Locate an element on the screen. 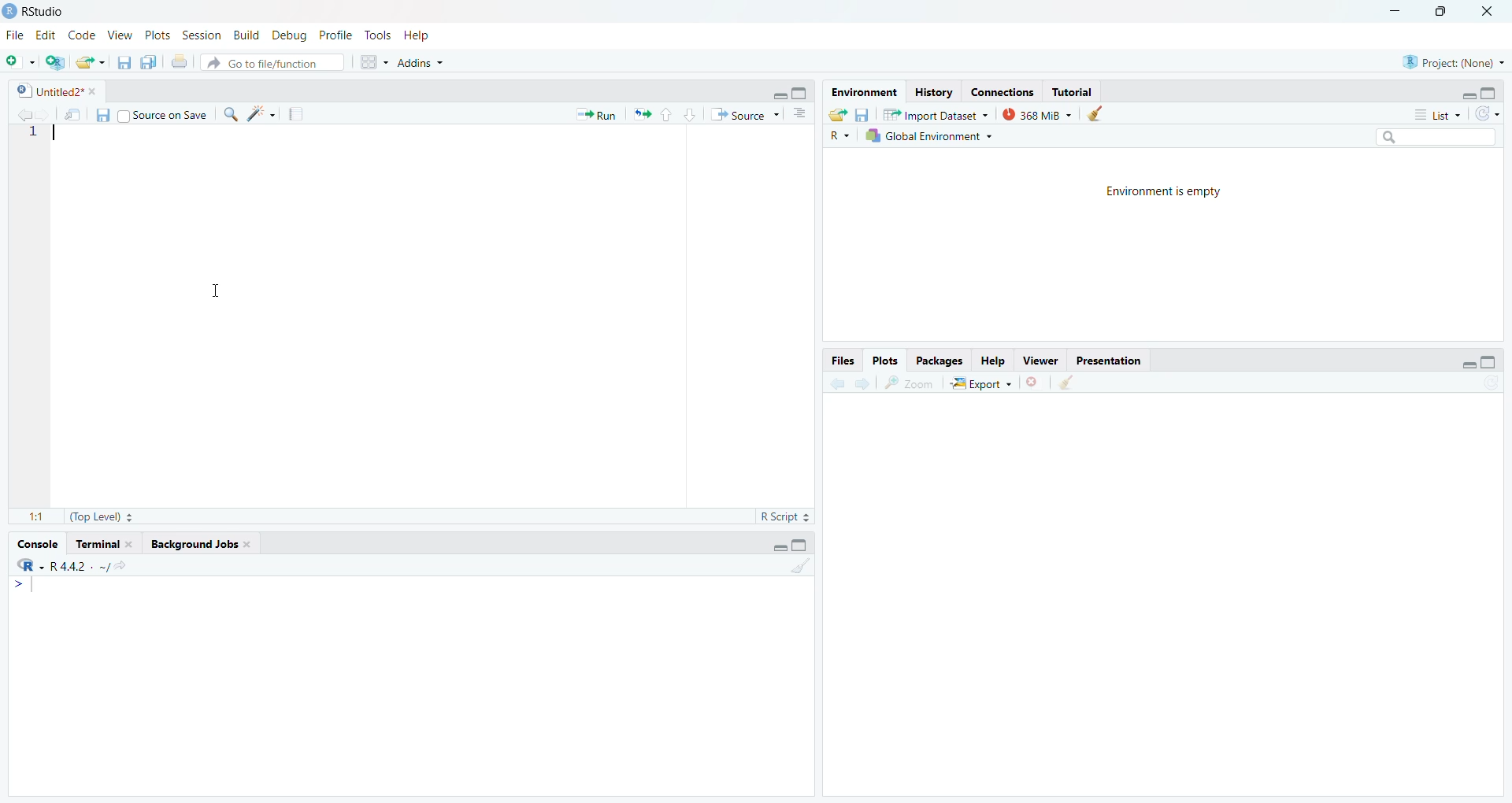 Image resolution: width=1512 pixels, height=803 pixels. Console is located at coordinates (40, 542).